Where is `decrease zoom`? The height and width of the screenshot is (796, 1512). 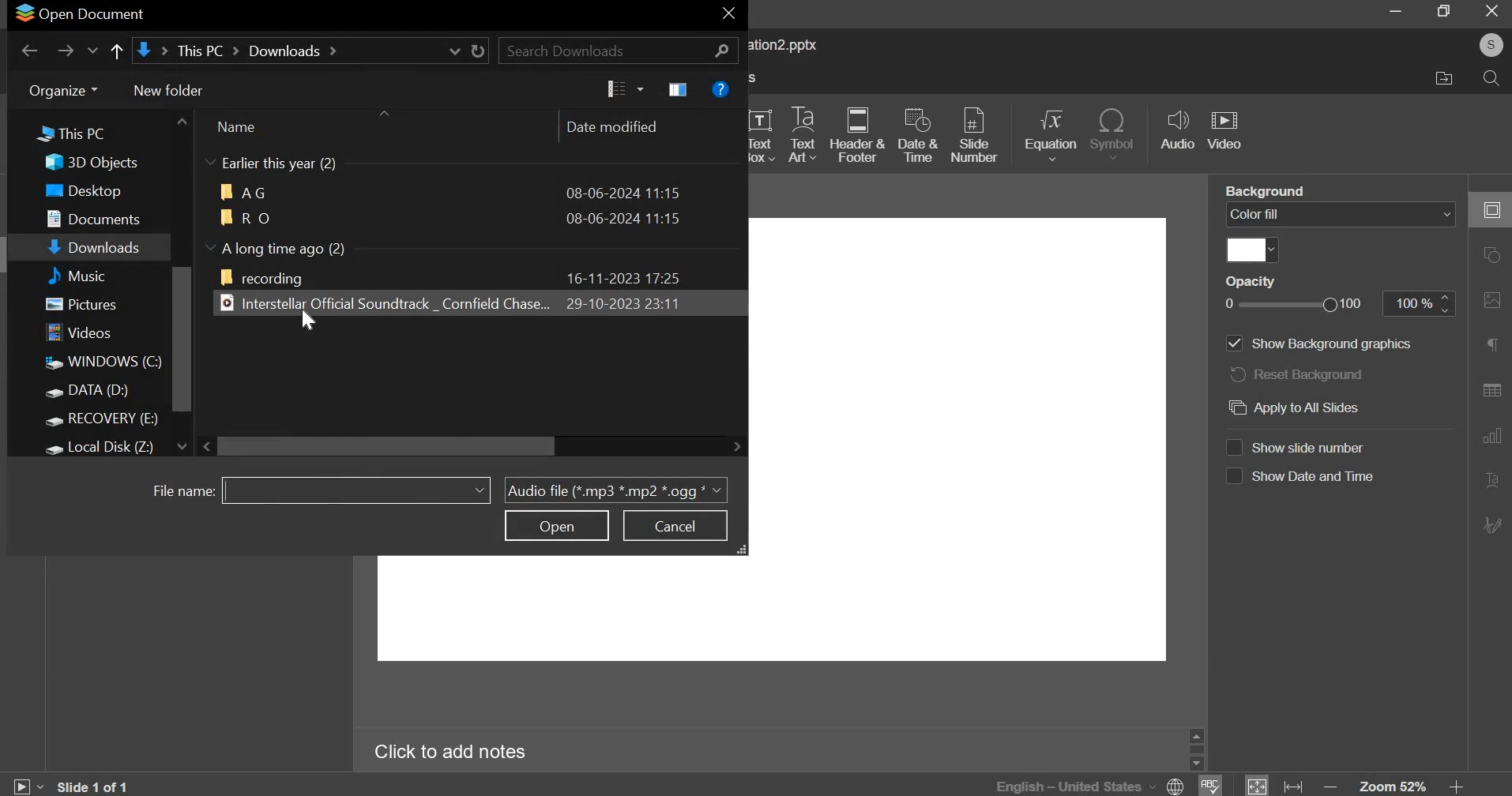
decrease zoom is located at coordinates (1330, 786).